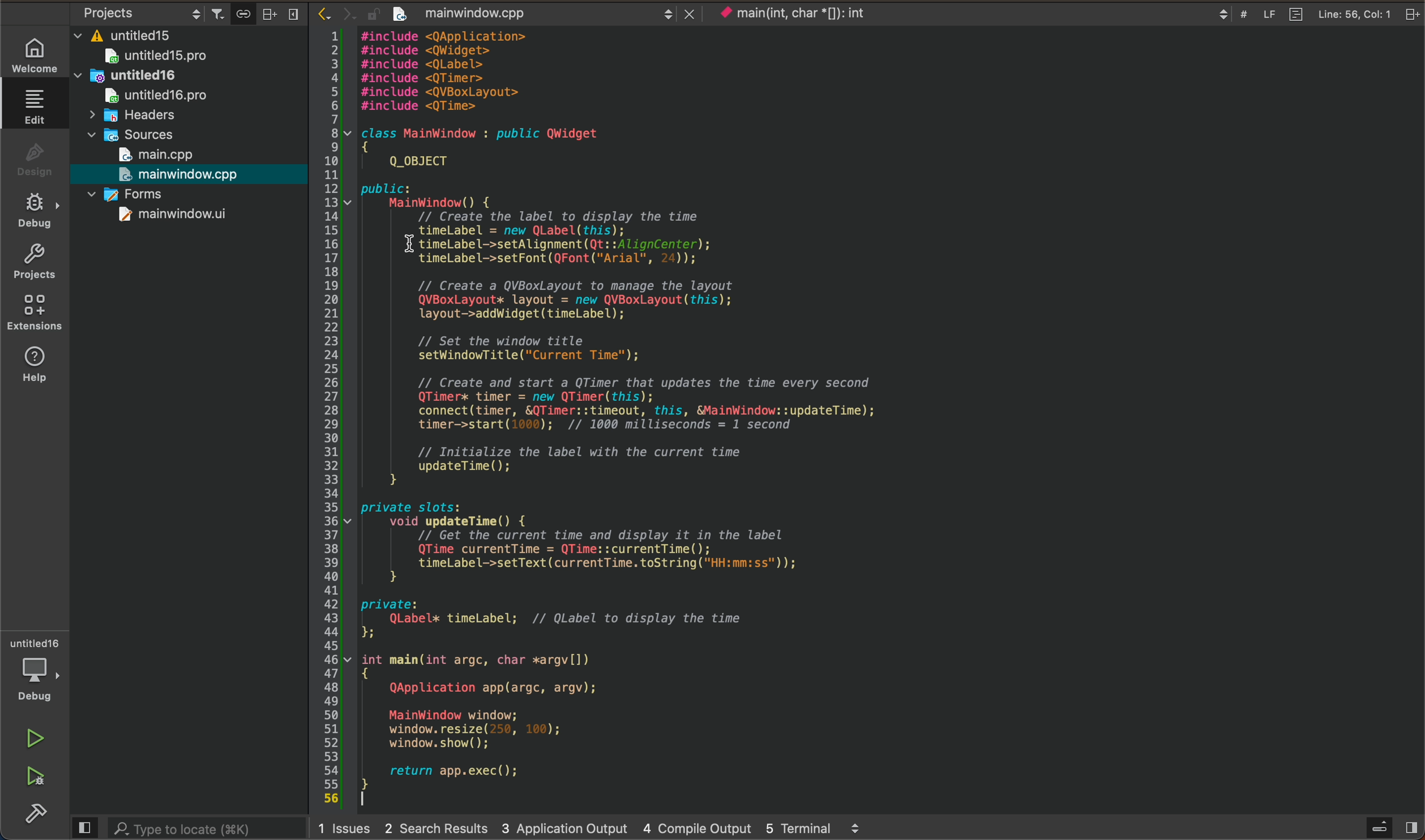 The image size is (1425, 840). I want to click on 1 Issues 2 Search Results 3 Application Output 4 Compile Output 5 Terminal, so click(587, 830).